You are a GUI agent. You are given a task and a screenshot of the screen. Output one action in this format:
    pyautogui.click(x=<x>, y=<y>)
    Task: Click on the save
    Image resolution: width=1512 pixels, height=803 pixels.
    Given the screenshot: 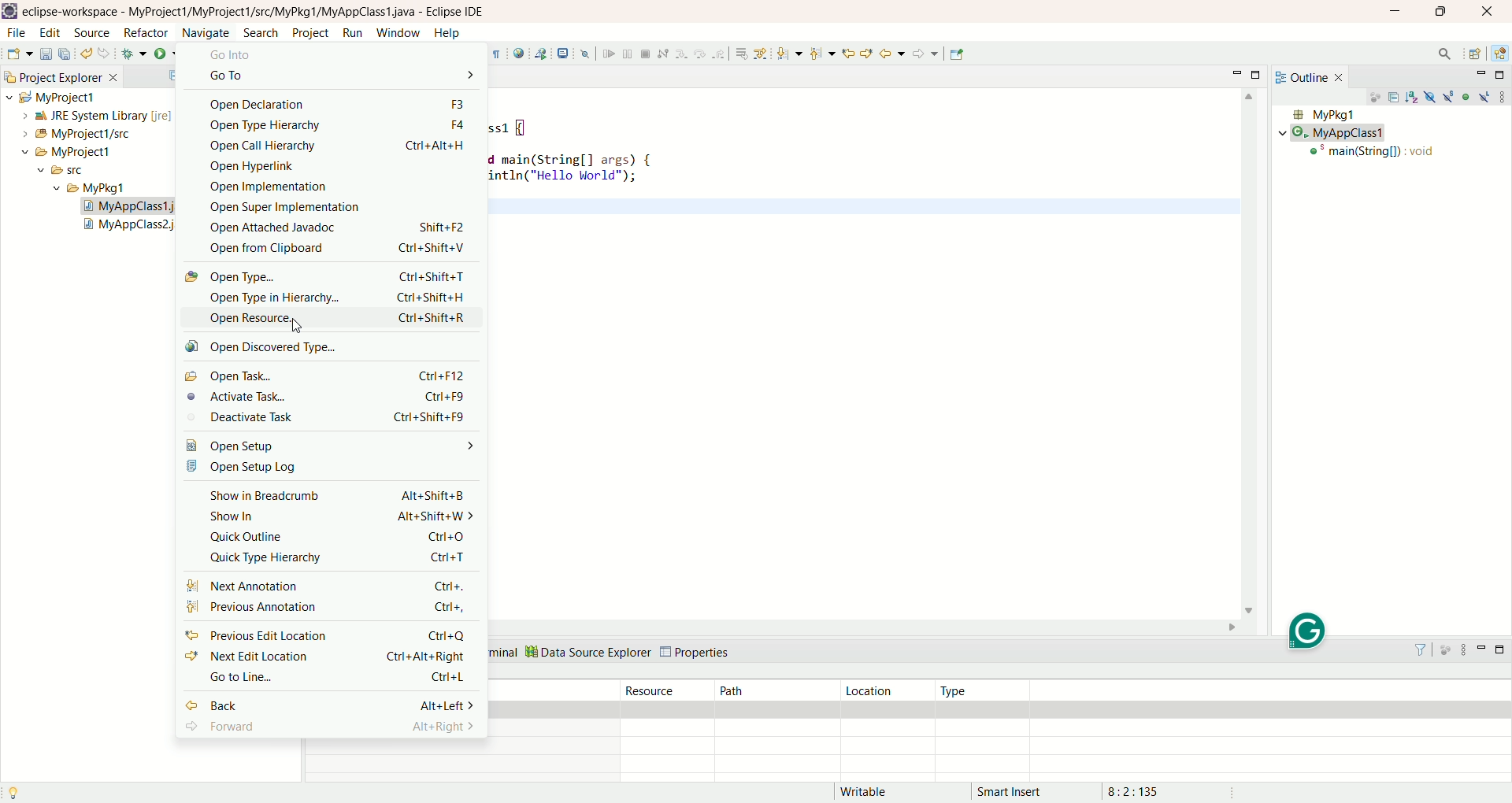 What is the action you would take?
    pyautogui.click(x=46, y=54)
    